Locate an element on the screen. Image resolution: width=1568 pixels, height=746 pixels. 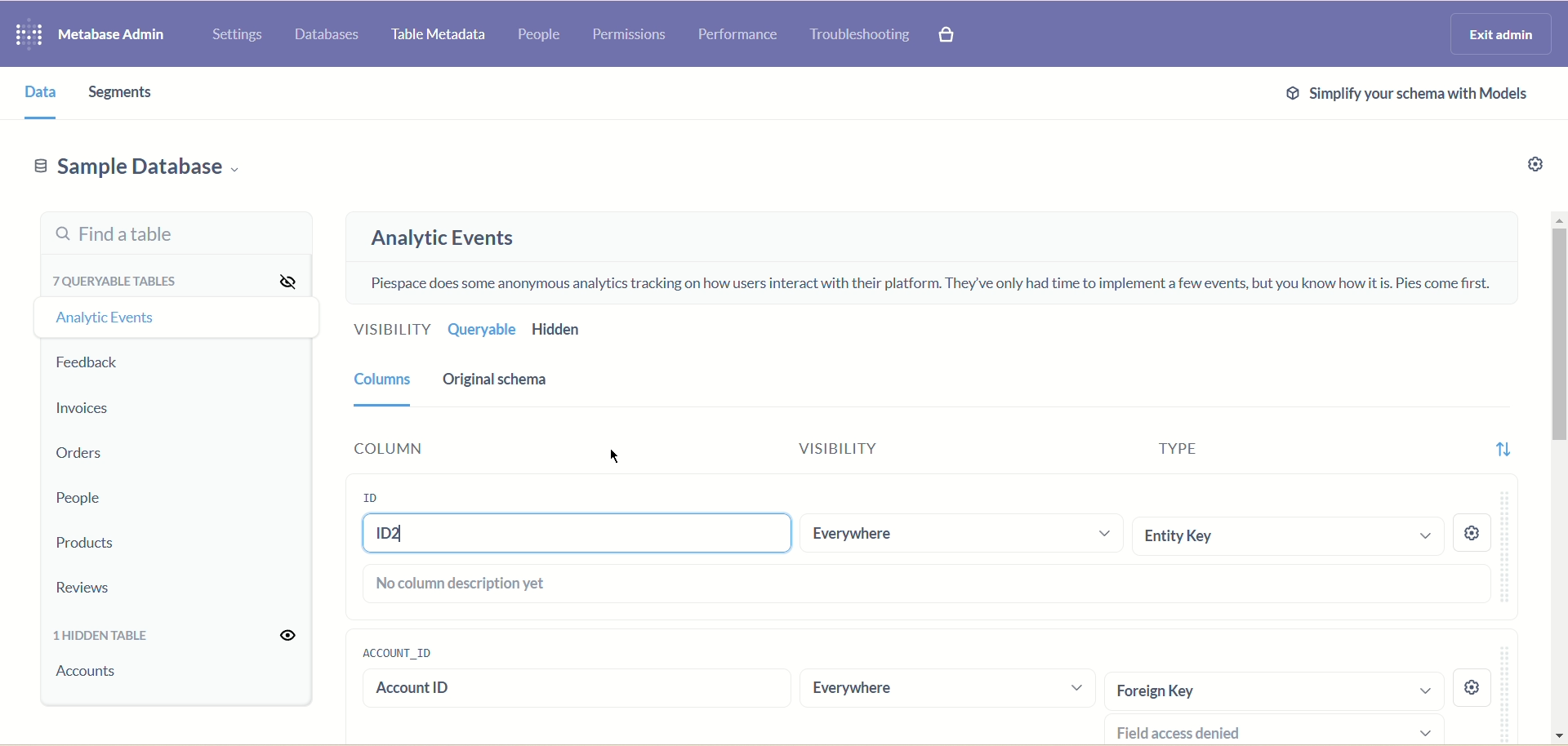
Type is located at coordinates (1182, 444).